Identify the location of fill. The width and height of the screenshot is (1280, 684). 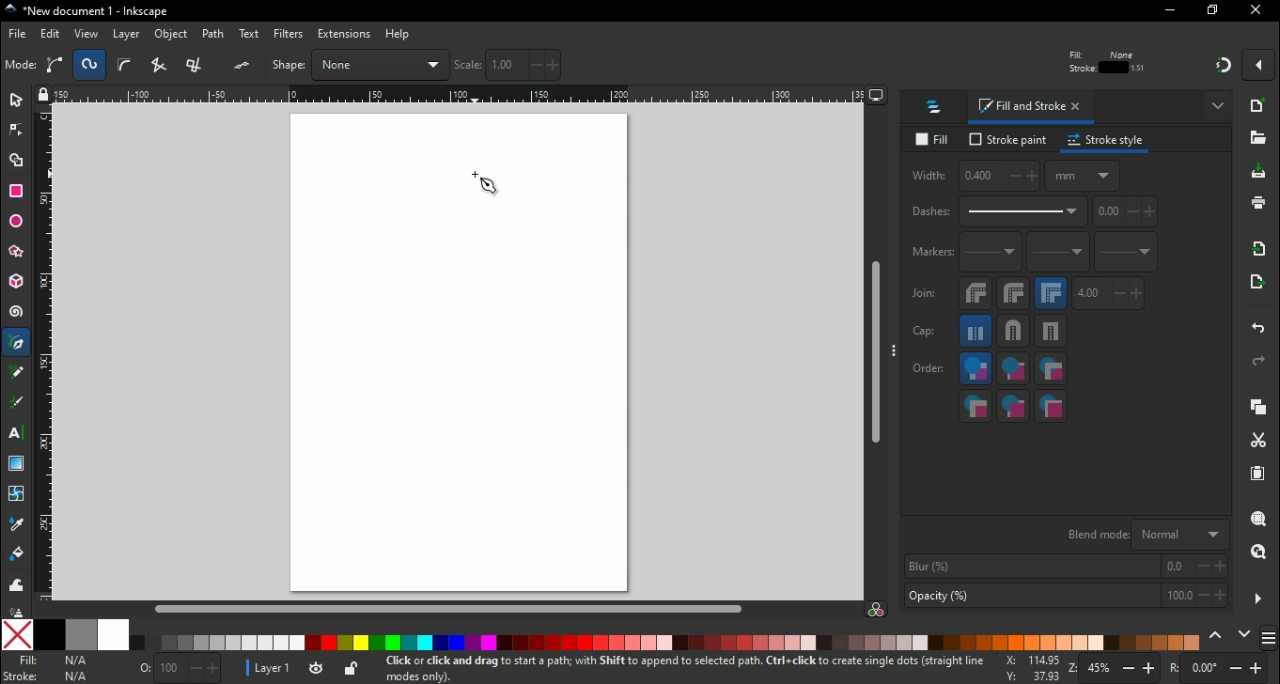
(932, 144).